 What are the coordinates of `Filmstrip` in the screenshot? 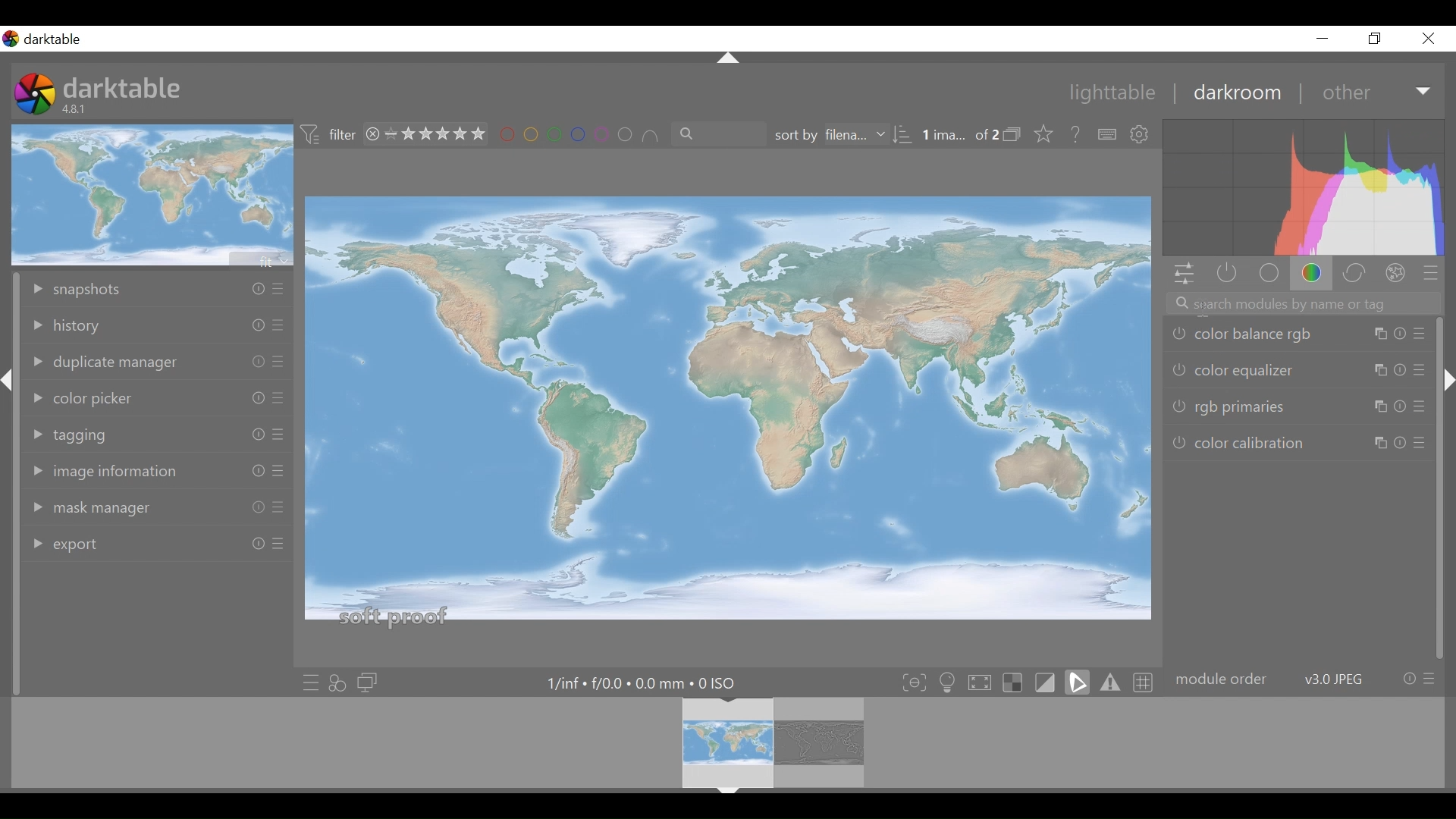 It's located at (722, 743).